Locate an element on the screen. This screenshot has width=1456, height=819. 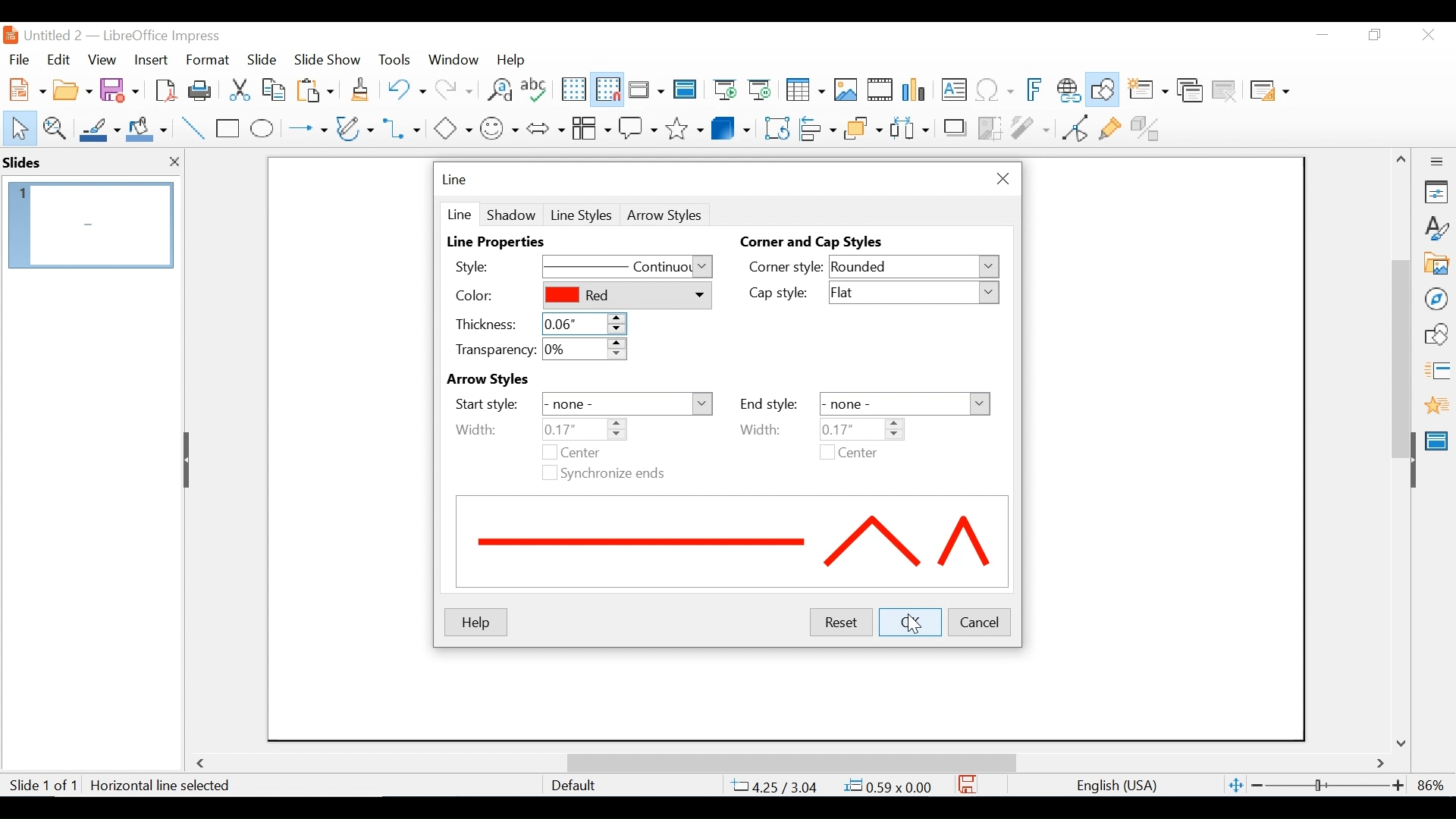
File is located at coordinates (19, 58).